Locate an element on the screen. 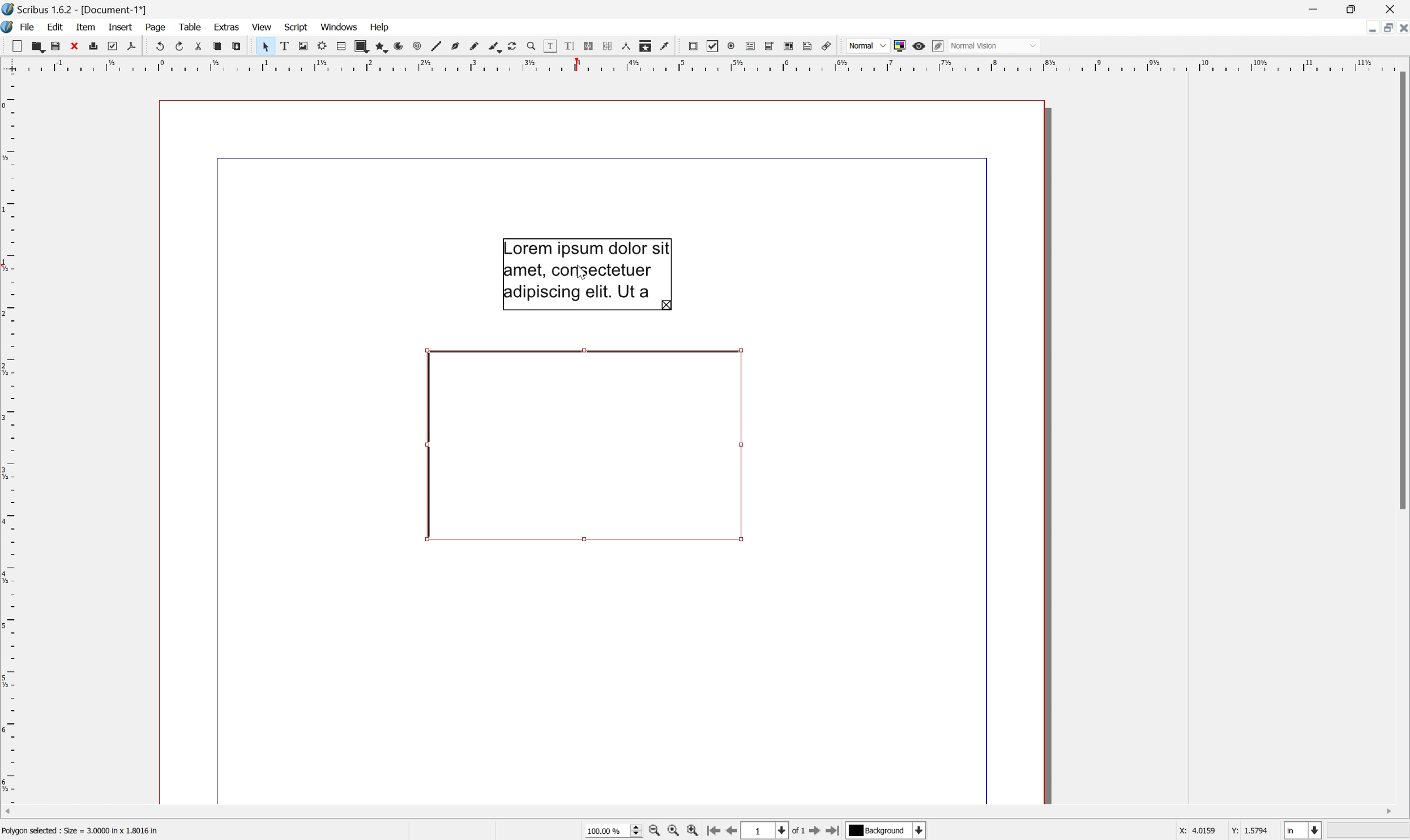  Go to the first page is located at coordinates (715, 832).